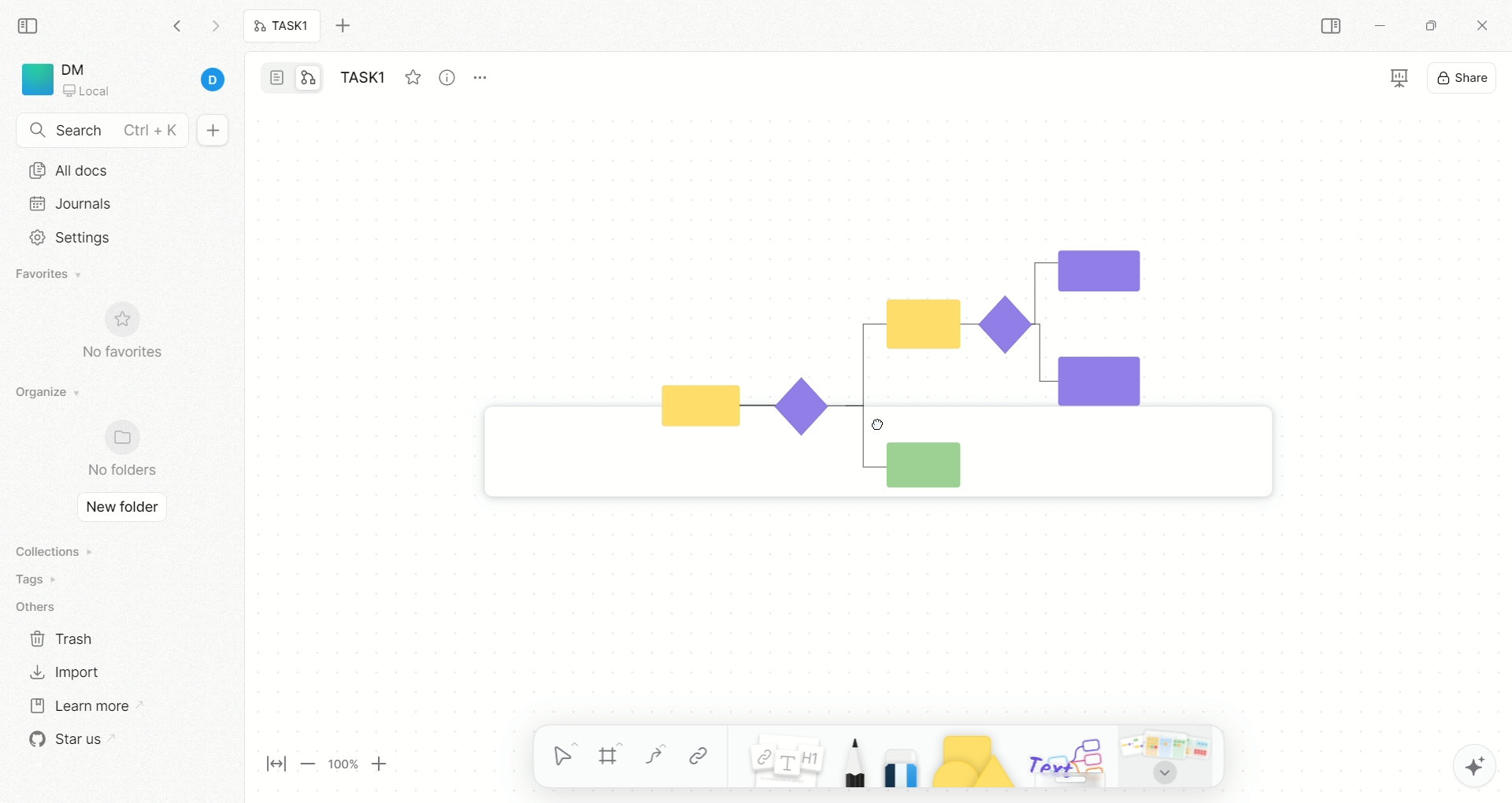 The width and height of the screenshot is (1512, 803). Describe the element at coordinates (115, 450) in the screenshot. I see `no folder` at that location.